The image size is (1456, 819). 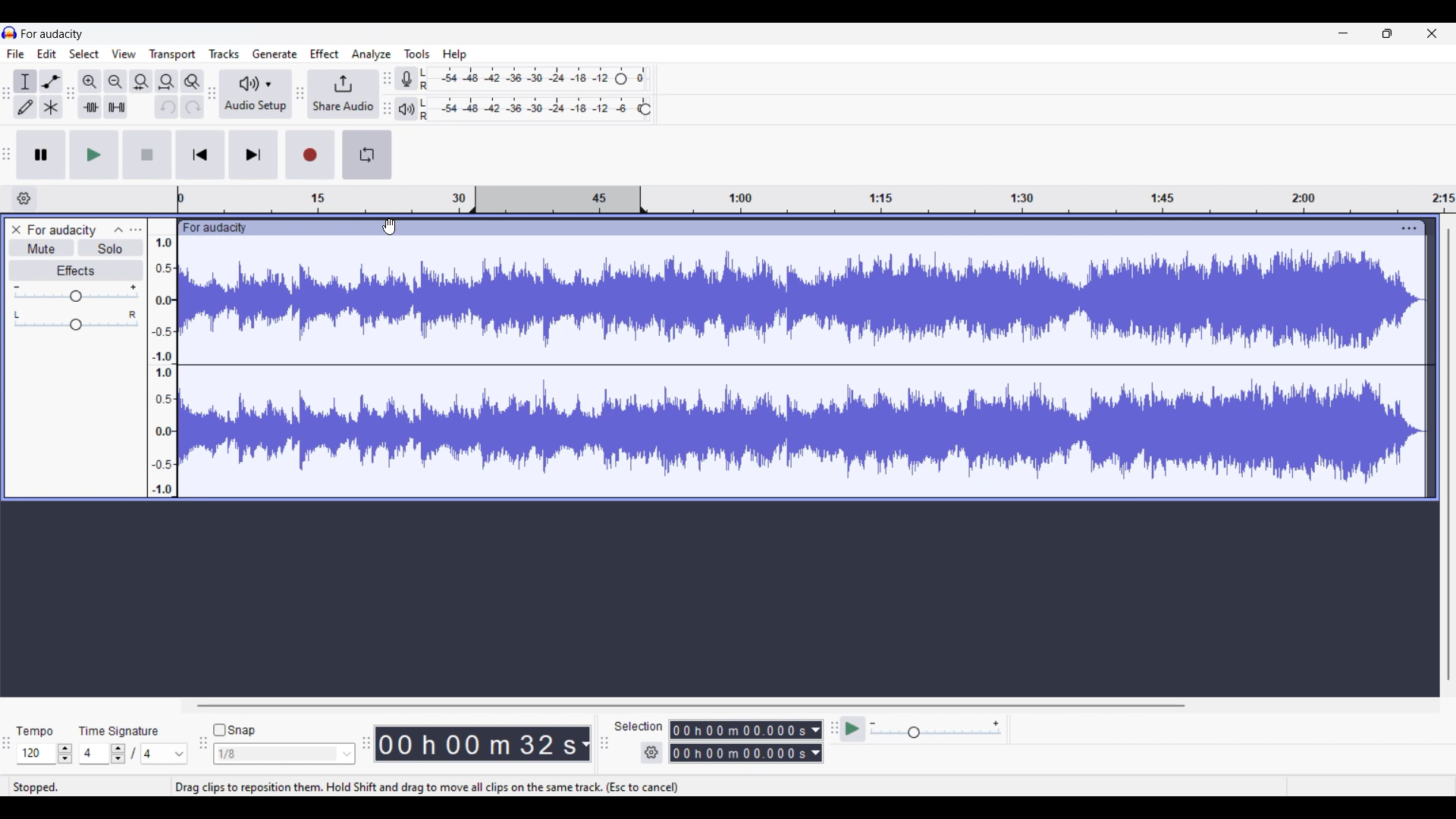 What do you see at coordinates (516, 79) in the screenshot?
I see `Recording level` at bounding box center [516, 79].